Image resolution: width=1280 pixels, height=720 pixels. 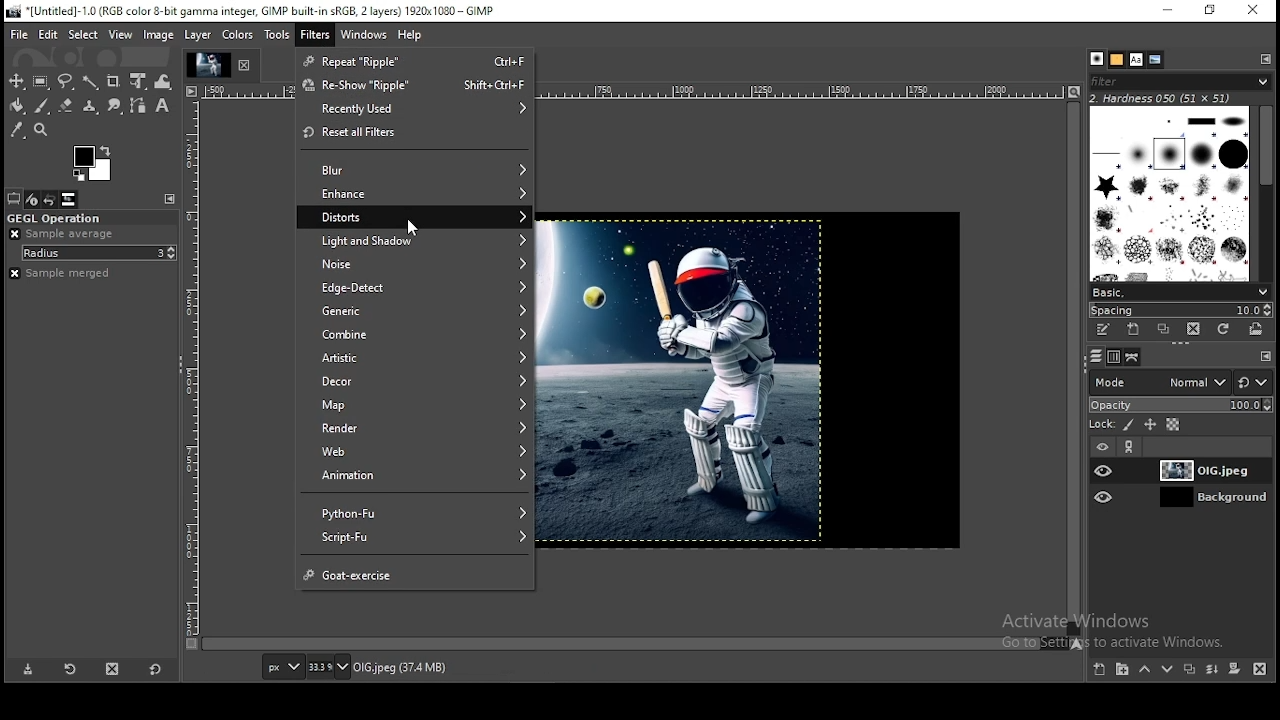 I want to click on paths, so click(x=1132, y=357).